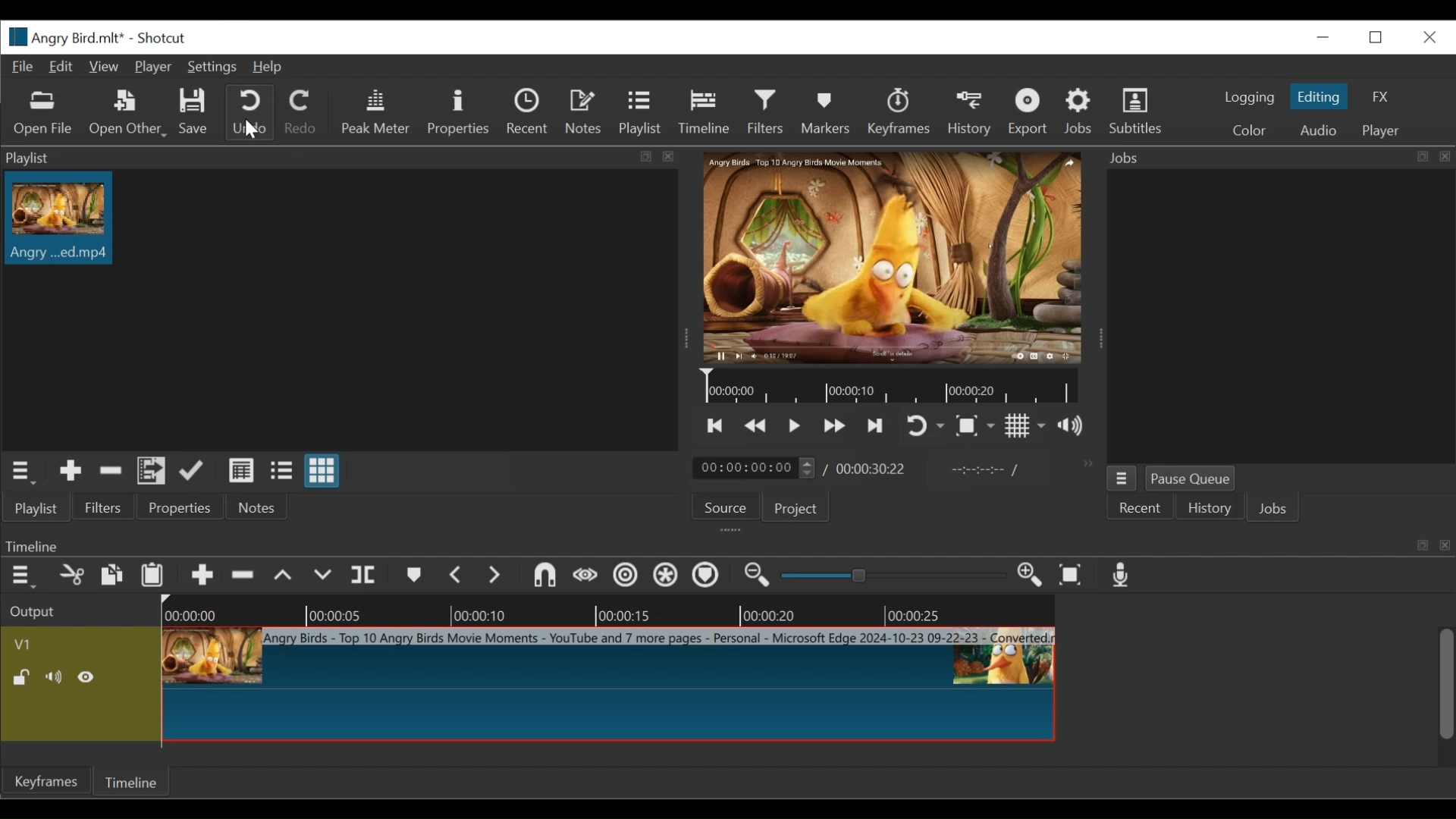  I want to click on Notes, so click(585, 112).